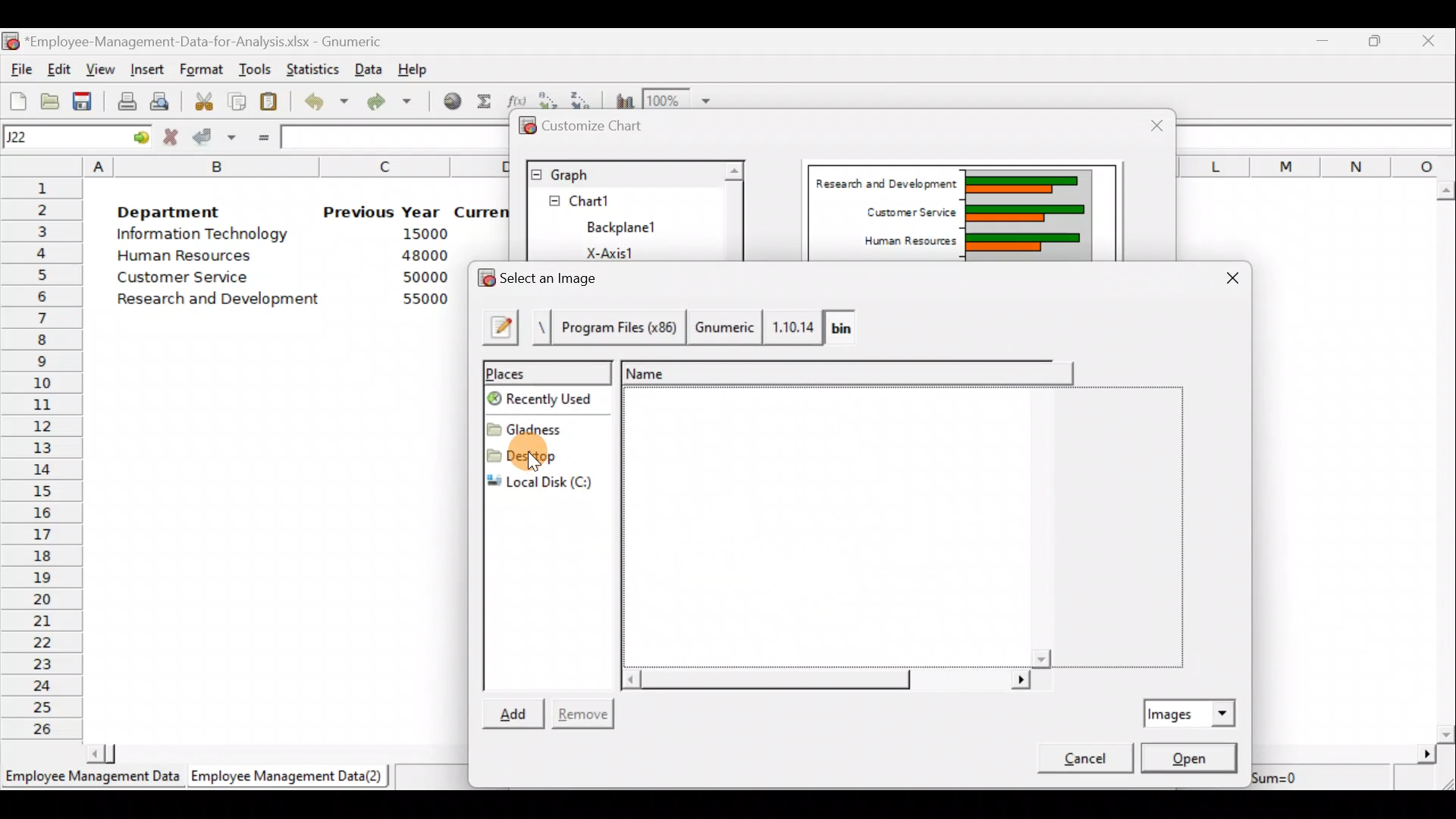  What do you see at coordinates (290, 777) in the screenshot?
I see `Employee Management Data (2)` at bounding box center [290, 777].